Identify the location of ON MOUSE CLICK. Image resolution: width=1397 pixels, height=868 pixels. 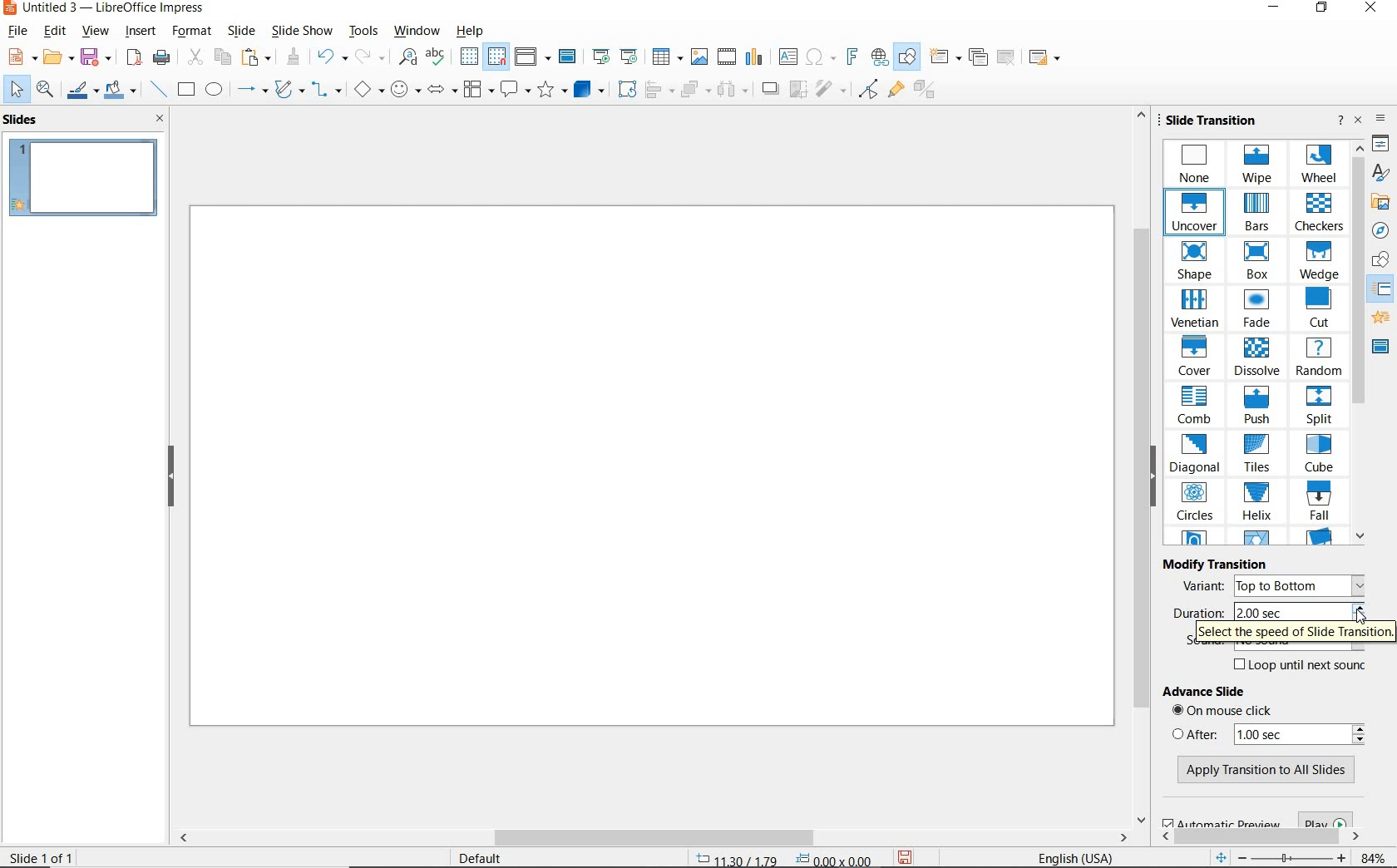
(1240, 713).